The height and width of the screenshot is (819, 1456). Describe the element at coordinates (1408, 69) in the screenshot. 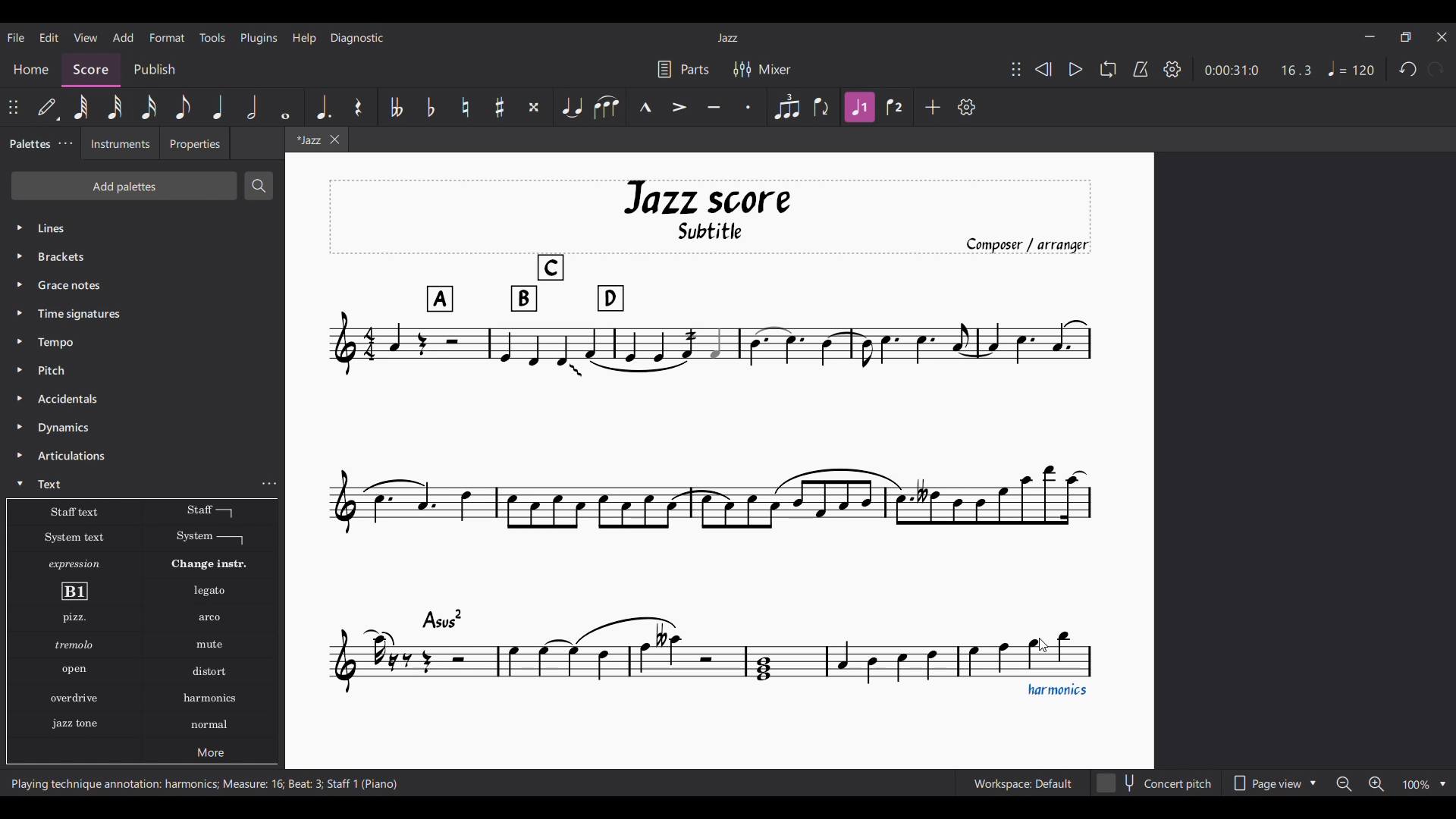

I see `Undo` at that location.